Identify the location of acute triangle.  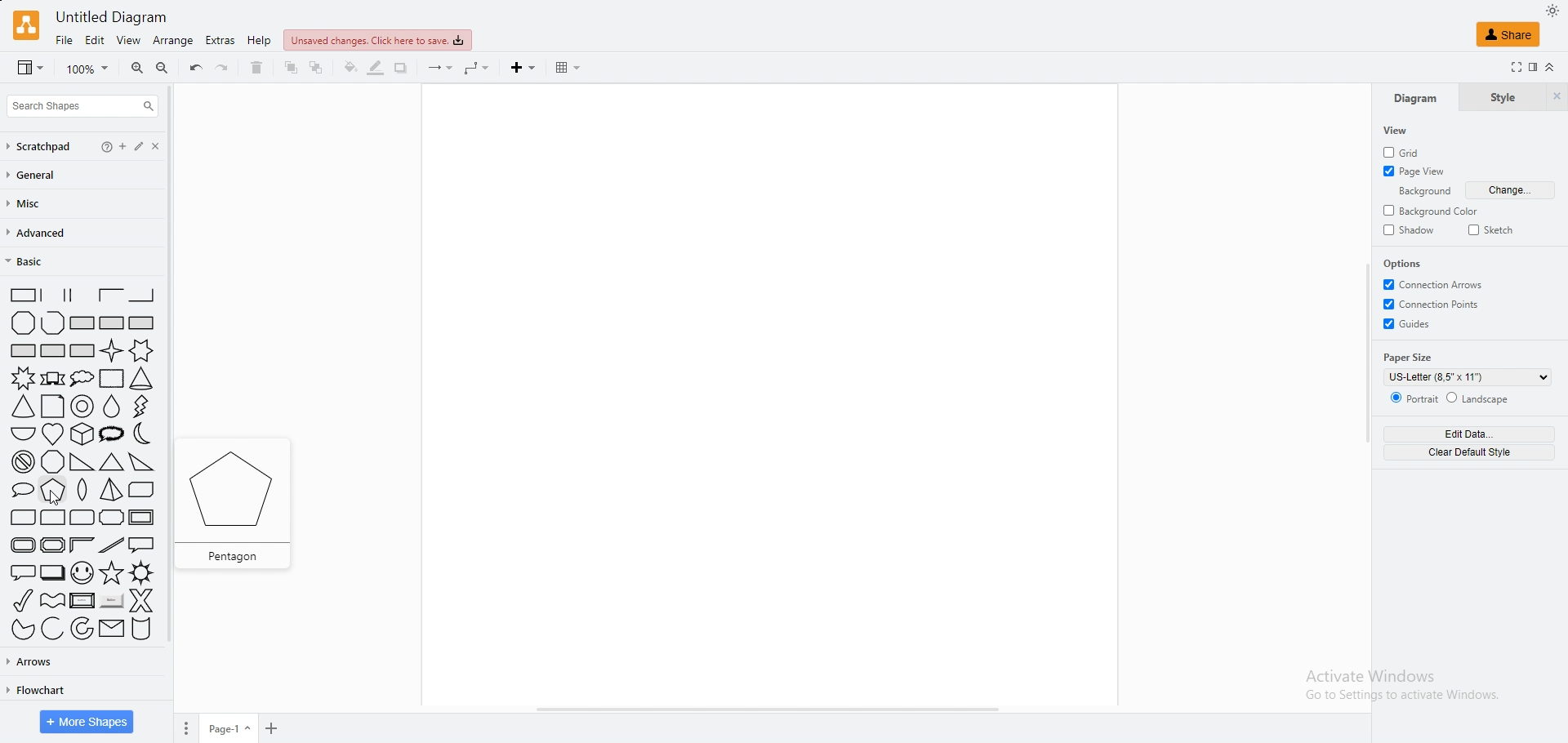
(112, 462).